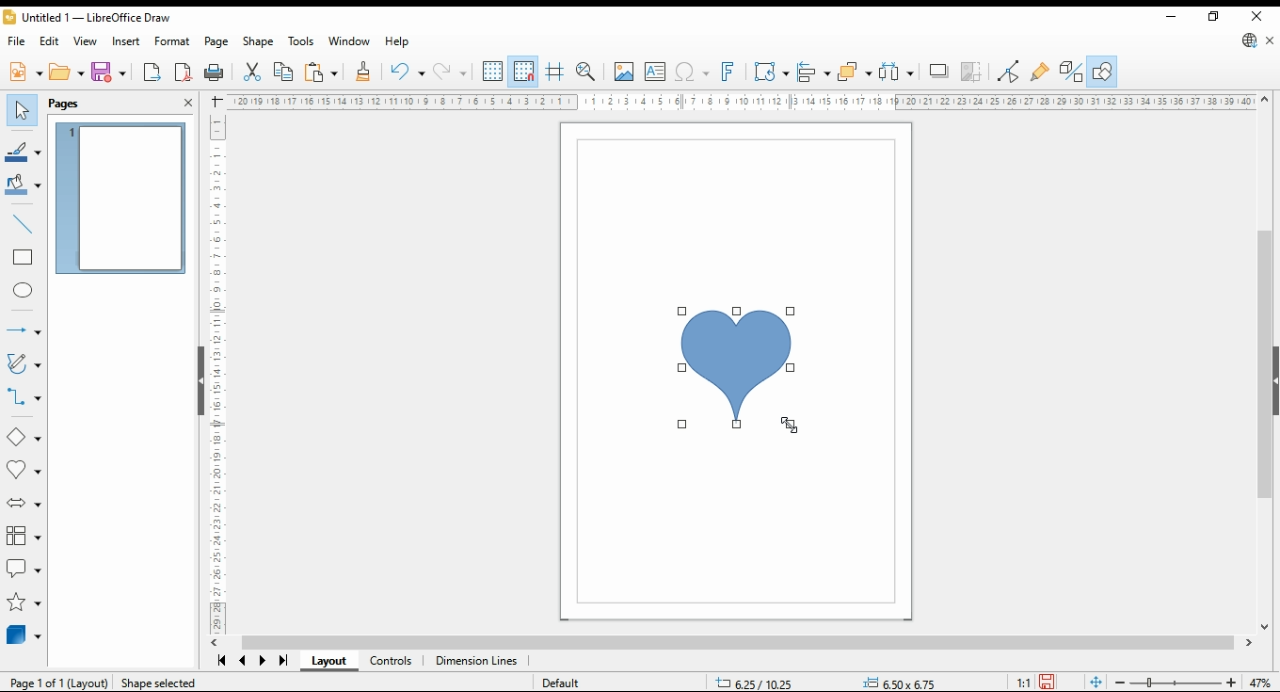 The image size is (1280, 692). What do you see at coordinates (22, 109) in the screenshot?
I see `select` at bounding box center [22, 109].